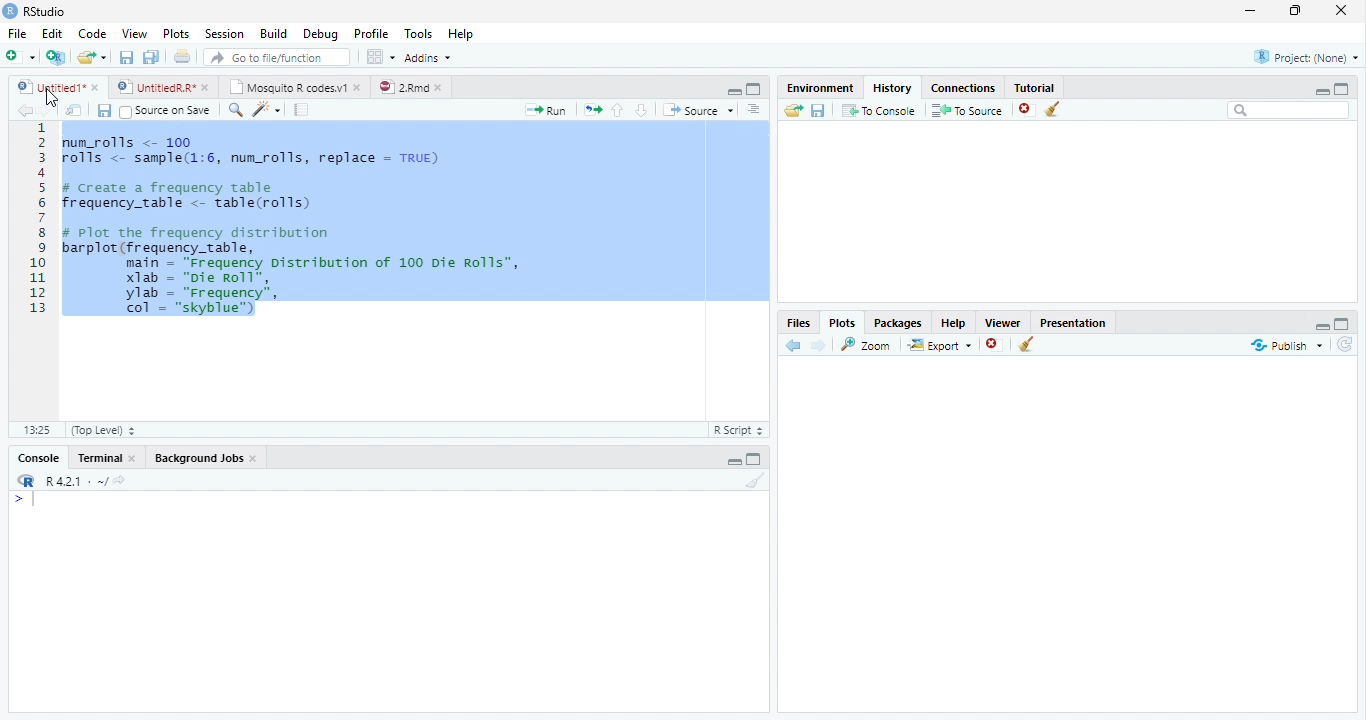 This screenshot has height=720, width=1366. What do you see at coordinates (755, 459) in the screenshot?
I see `Expand Height` at bounding box center [755, 459].